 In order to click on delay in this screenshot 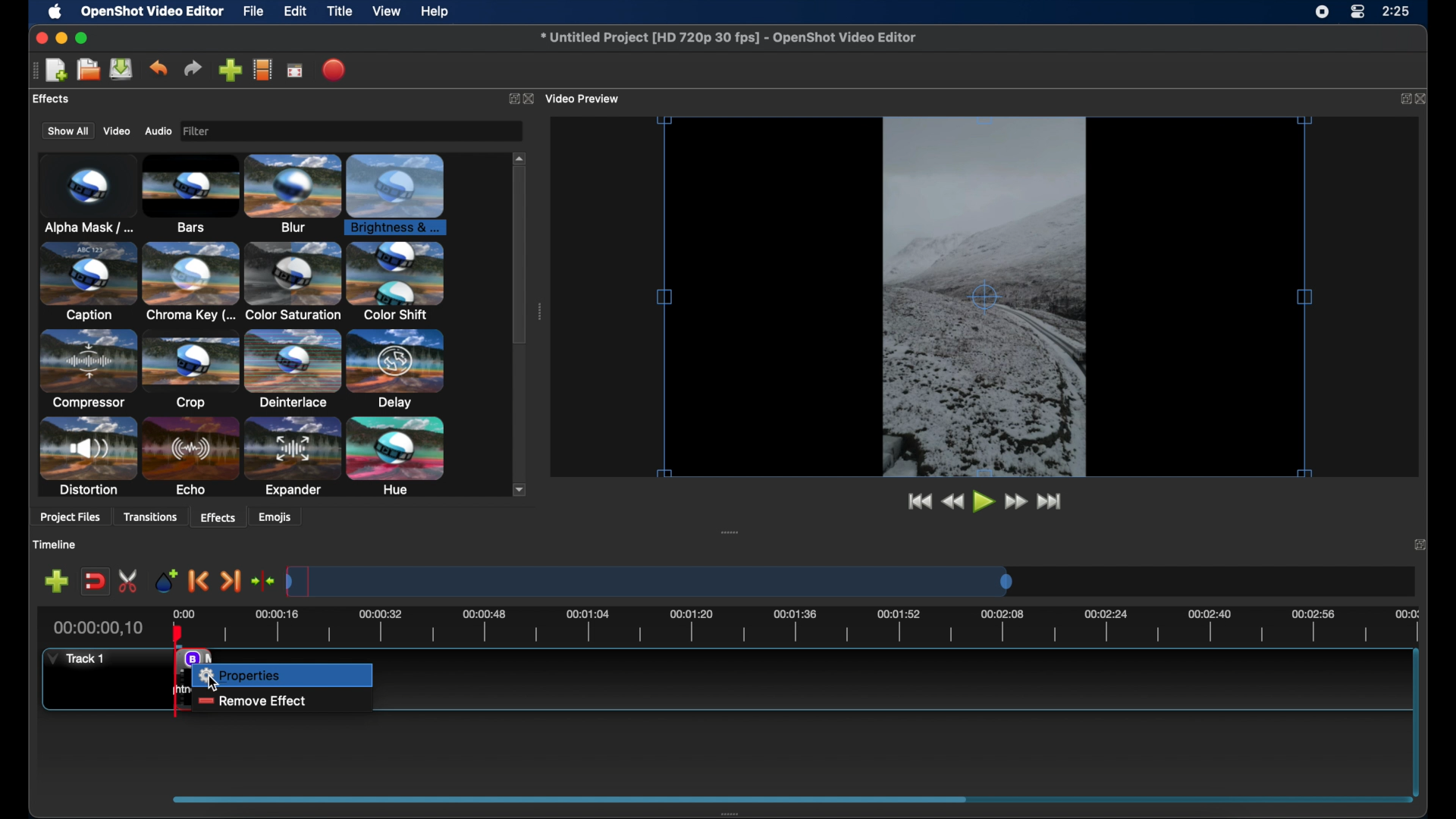, I will do `click(396, 369)`.